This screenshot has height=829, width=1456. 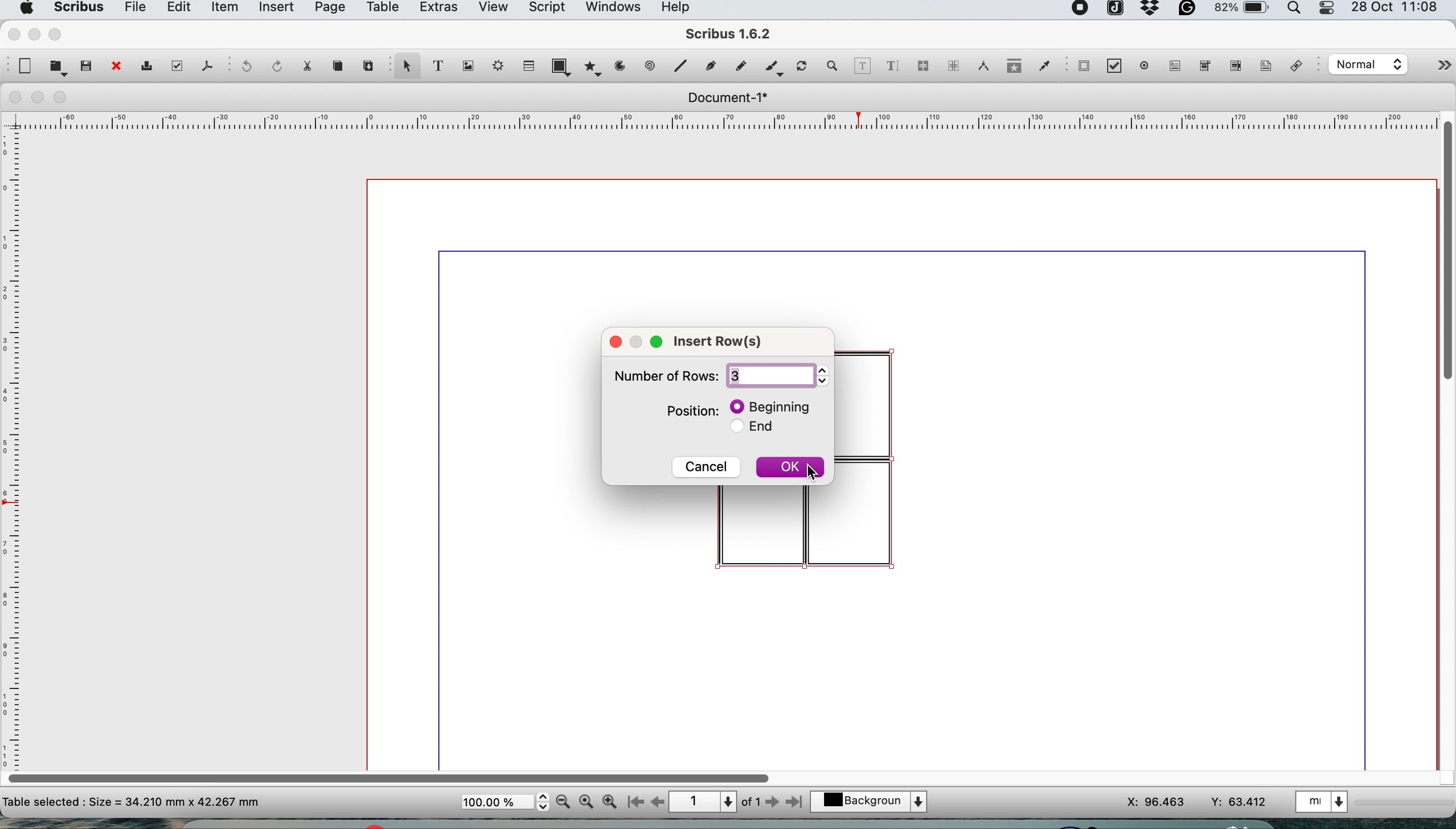 I want to click on pdf check button, so click(x=1084, y=65).